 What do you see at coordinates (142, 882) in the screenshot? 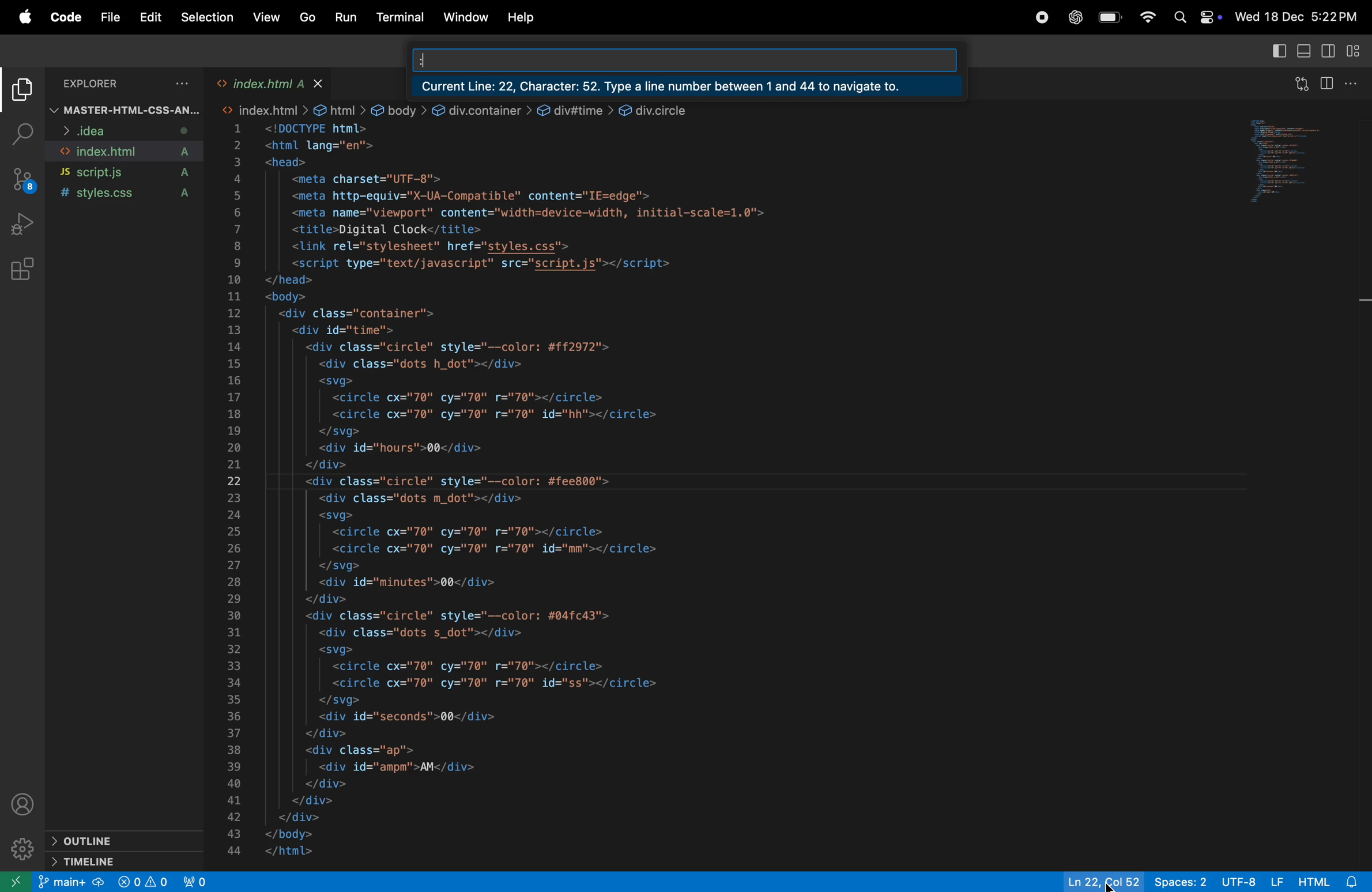
I see `no problem` at bounding box center [142, 882].